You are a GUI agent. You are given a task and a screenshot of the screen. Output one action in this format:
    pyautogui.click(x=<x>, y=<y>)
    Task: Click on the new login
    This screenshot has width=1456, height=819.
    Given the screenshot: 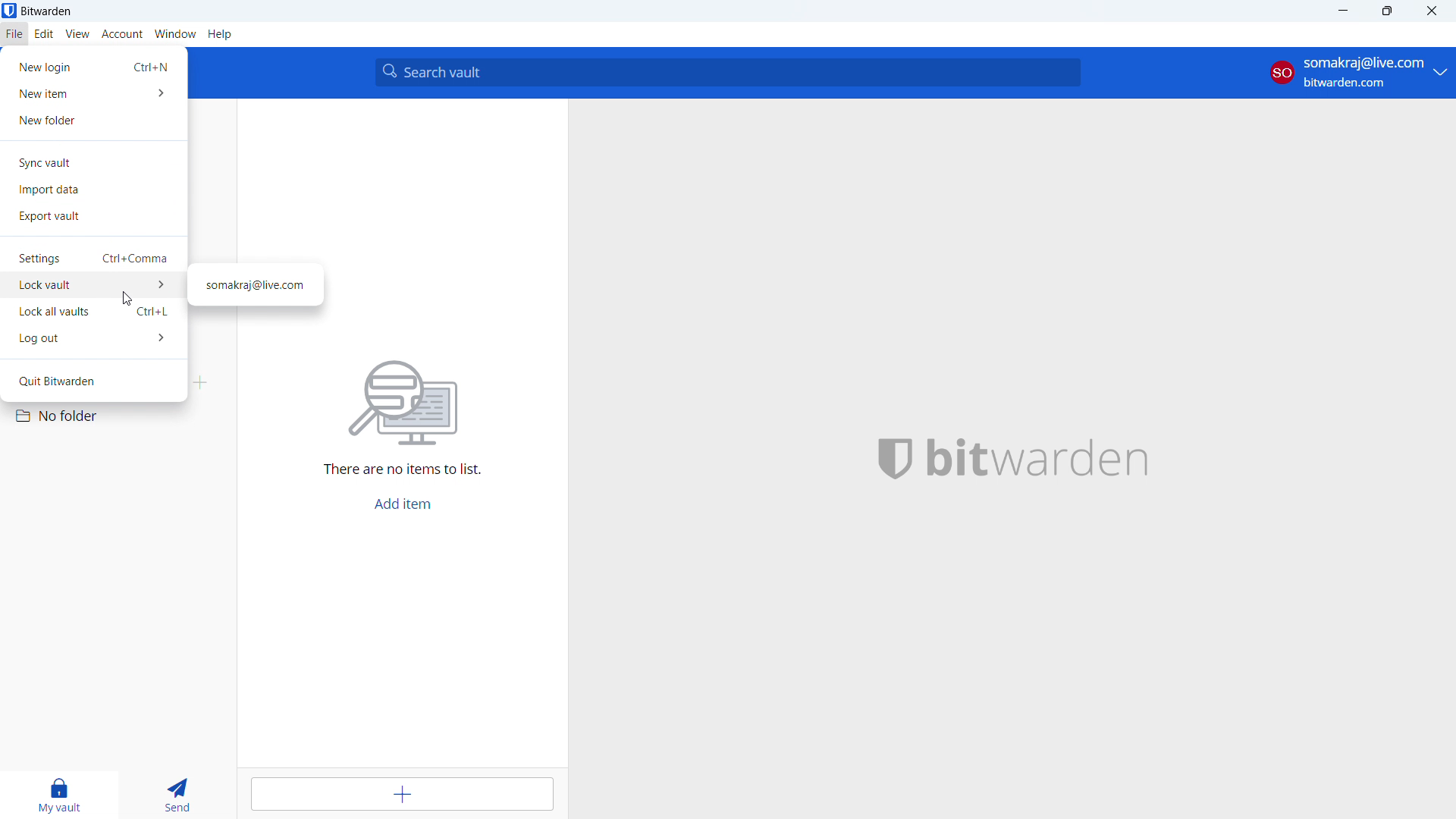 What is the action you would take?
    pyautogui.click(x=93, y=67)
    